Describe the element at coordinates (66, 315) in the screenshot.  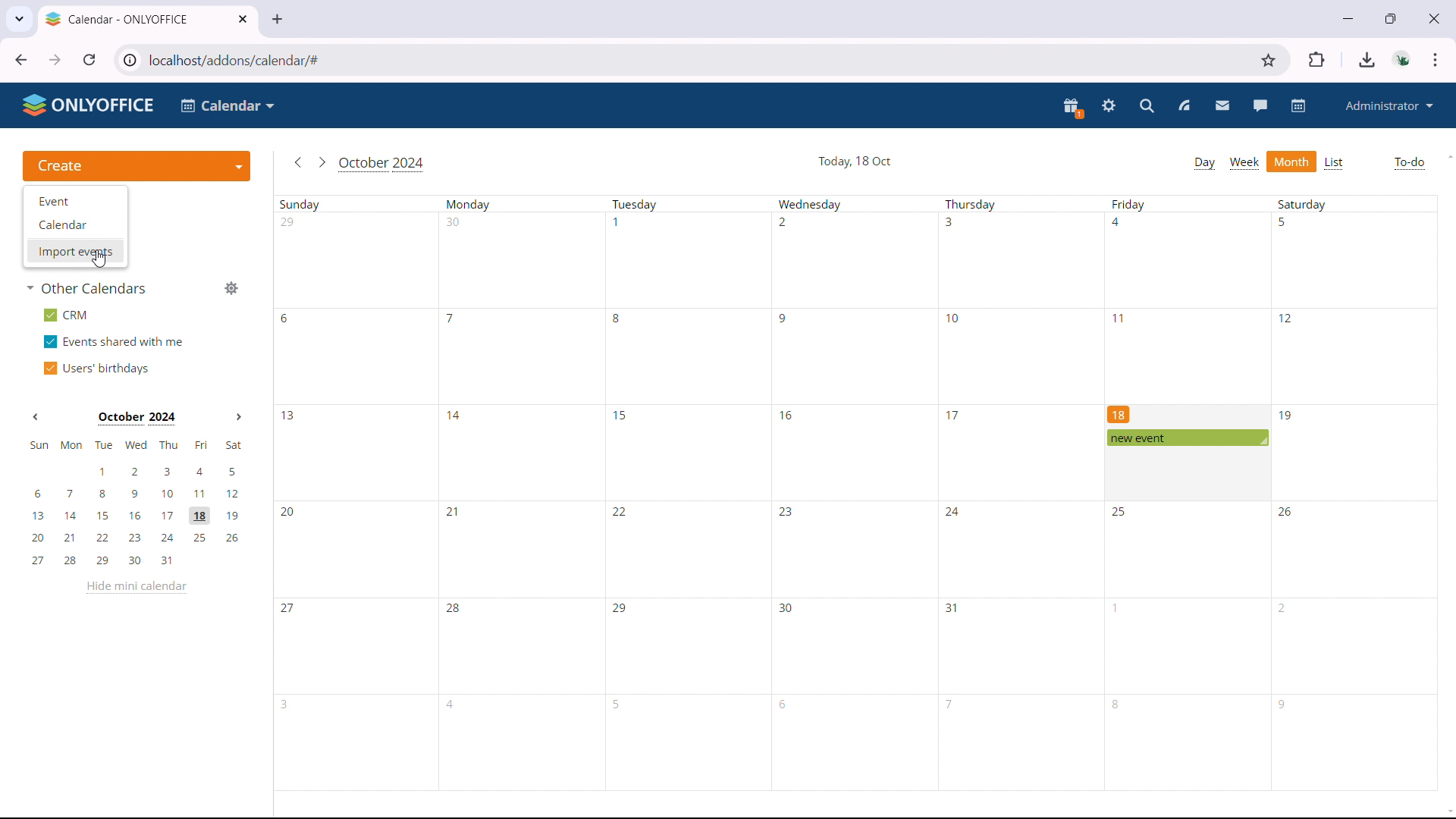
I see `crm` at that location.